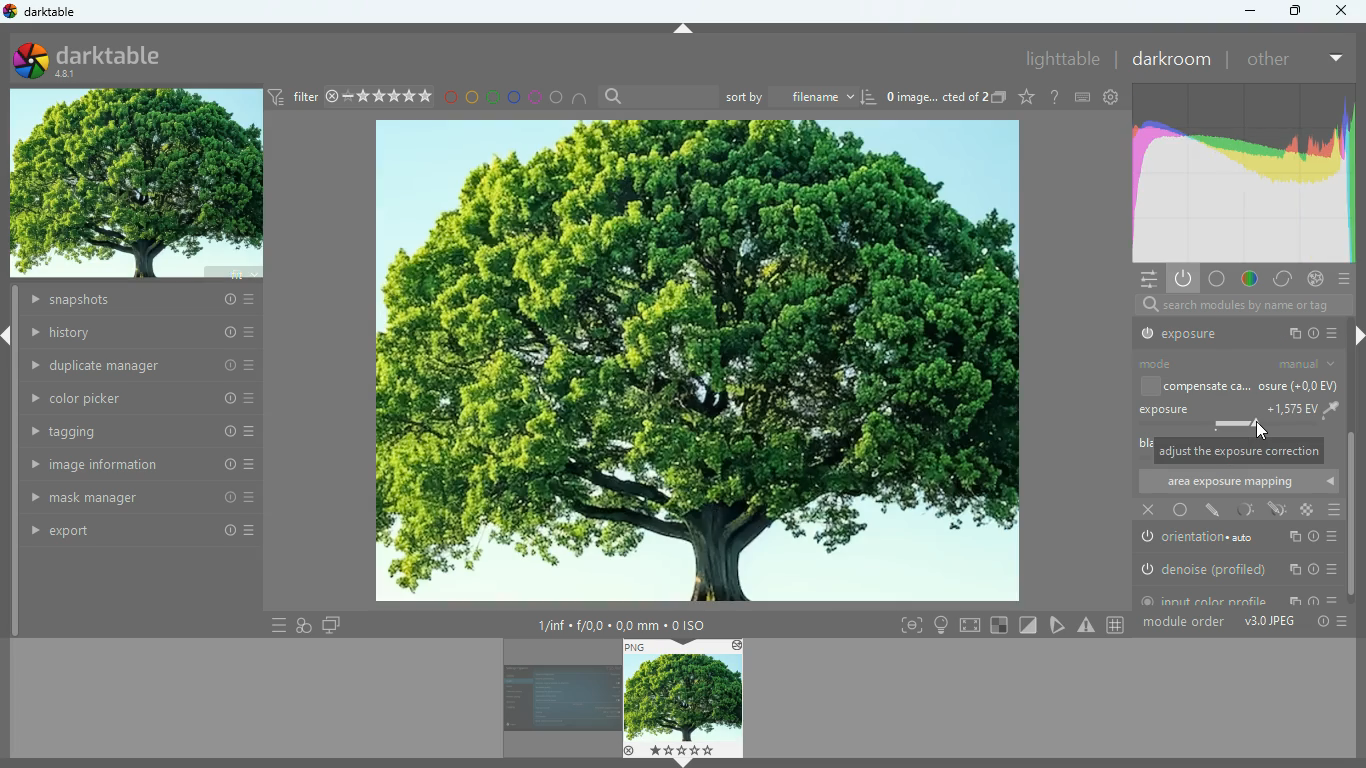 This screenshot has height=768, width=1366. I want to click on green, so click(493, 99).